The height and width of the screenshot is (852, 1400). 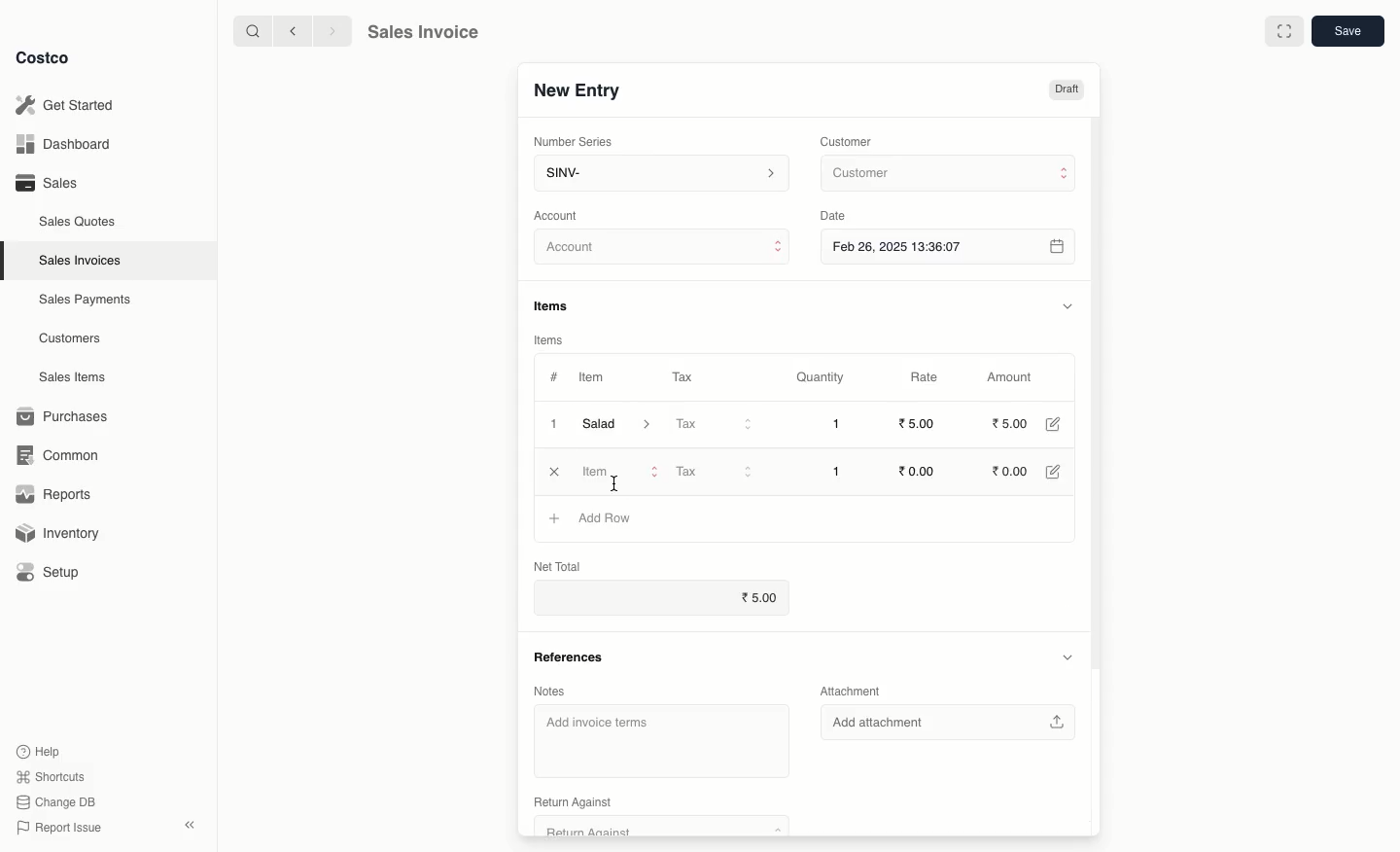 I want to click on Quantity, so click(x=819, y=378).